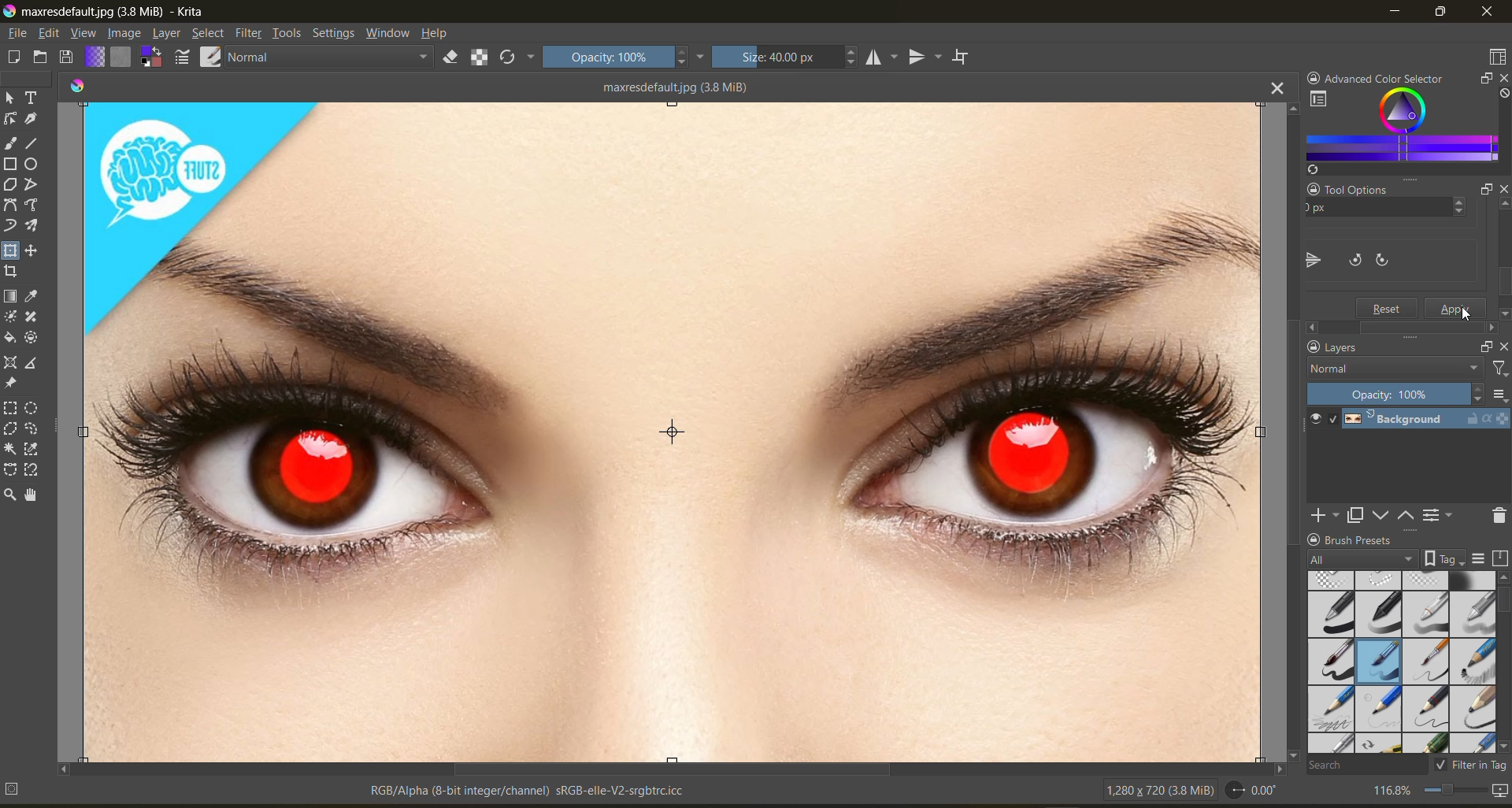  Describe the element at coordinates (12, 97) in the screenshot. I see `tool` at that location.